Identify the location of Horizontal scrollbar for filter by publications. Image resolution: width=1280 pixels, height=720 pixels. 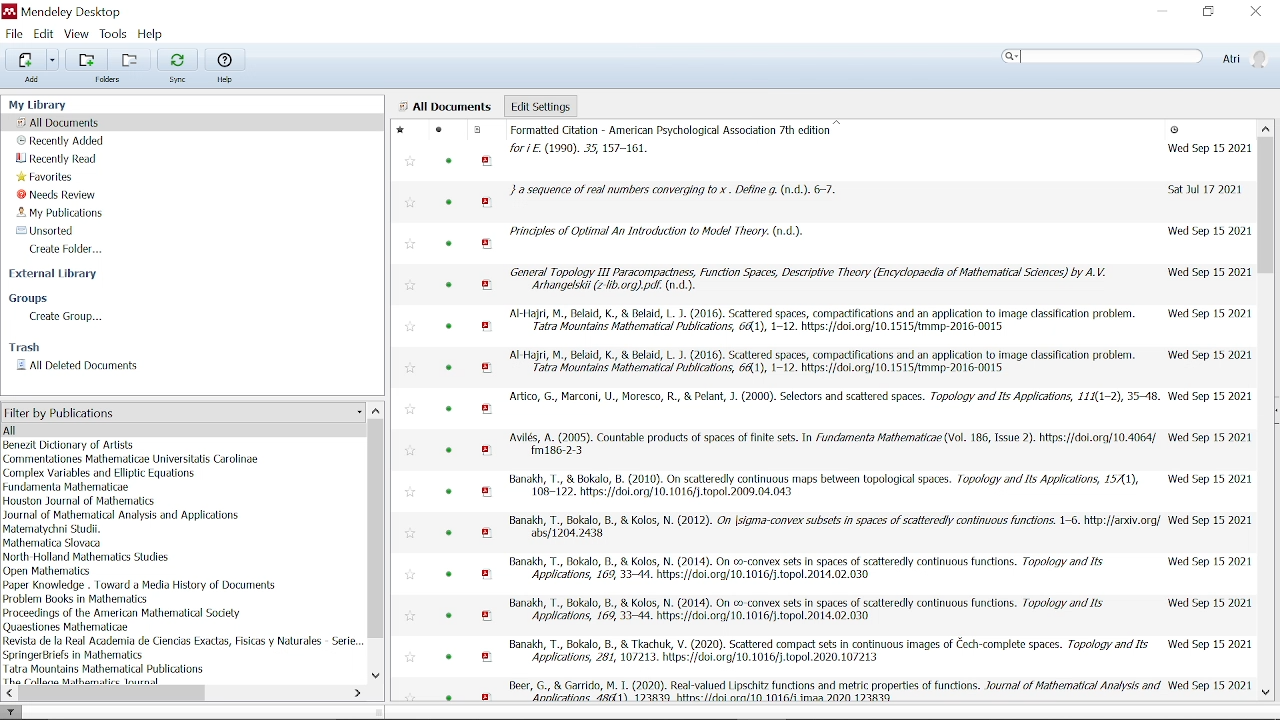
(115, 693).